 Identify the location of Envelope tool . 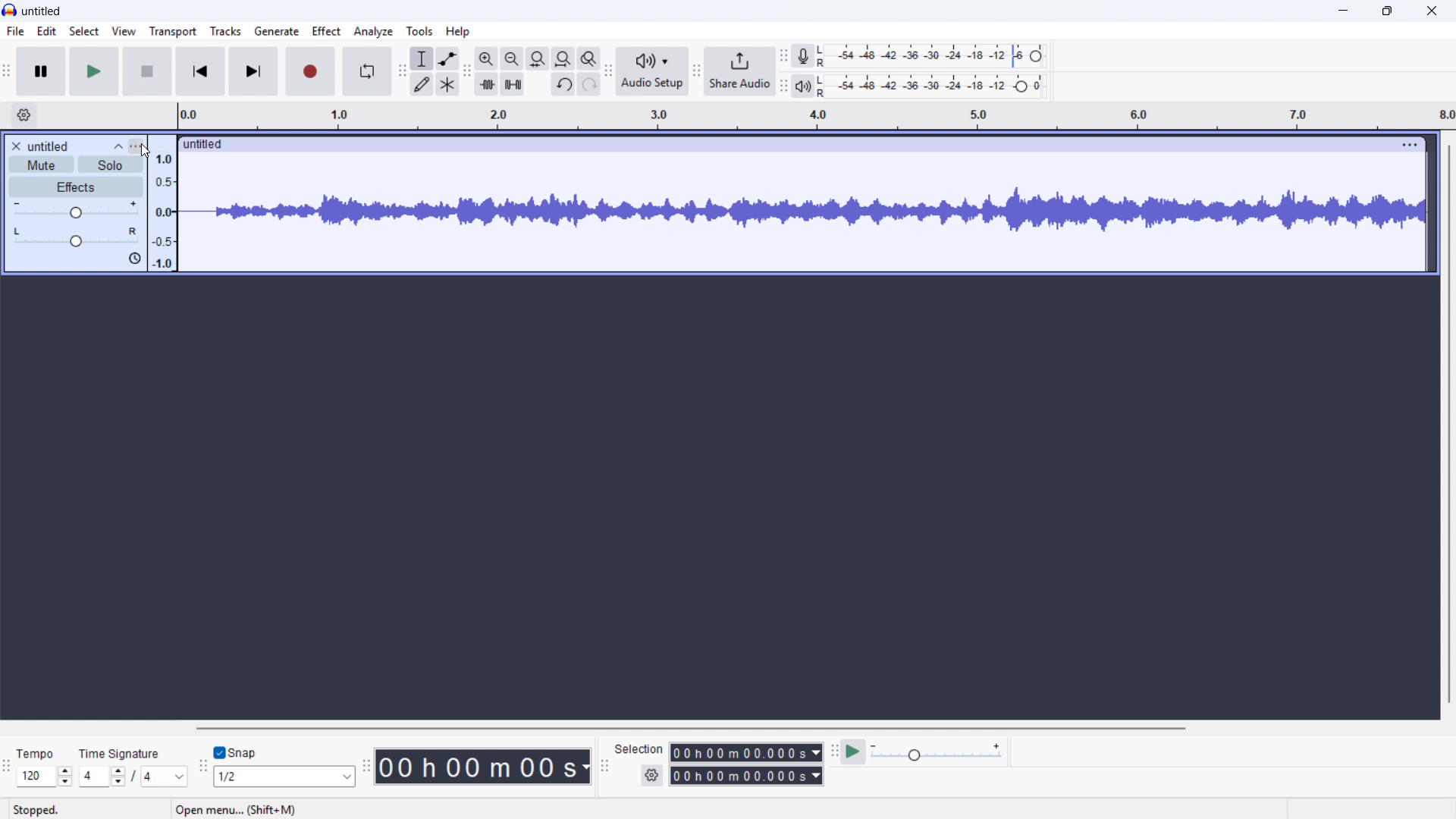
(447, 58).